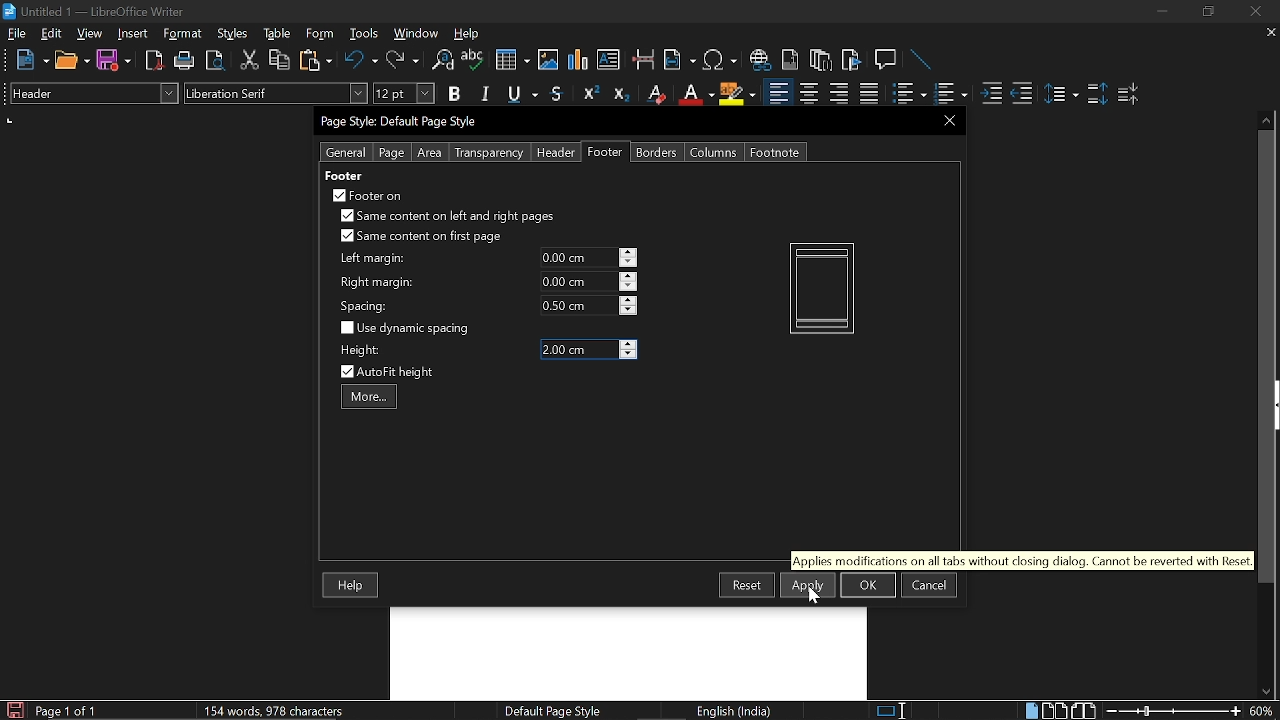 Image resolution: width=1280 pixels, height=720 pixels. What do you see at coordinates (1086, 710) in the screenshot?
I see `Book view` at bounding box center [1086, 710].